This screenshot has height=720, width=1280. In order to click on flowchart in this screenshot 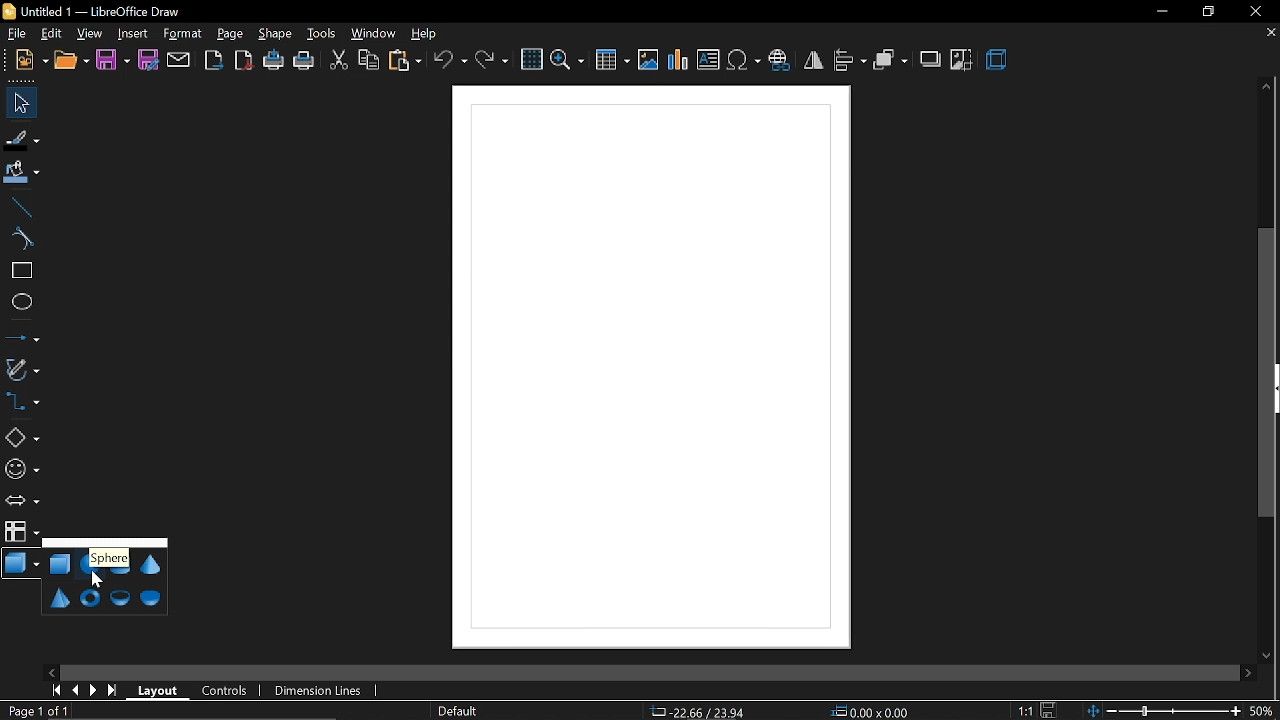, I will do `click(22, 531)`.